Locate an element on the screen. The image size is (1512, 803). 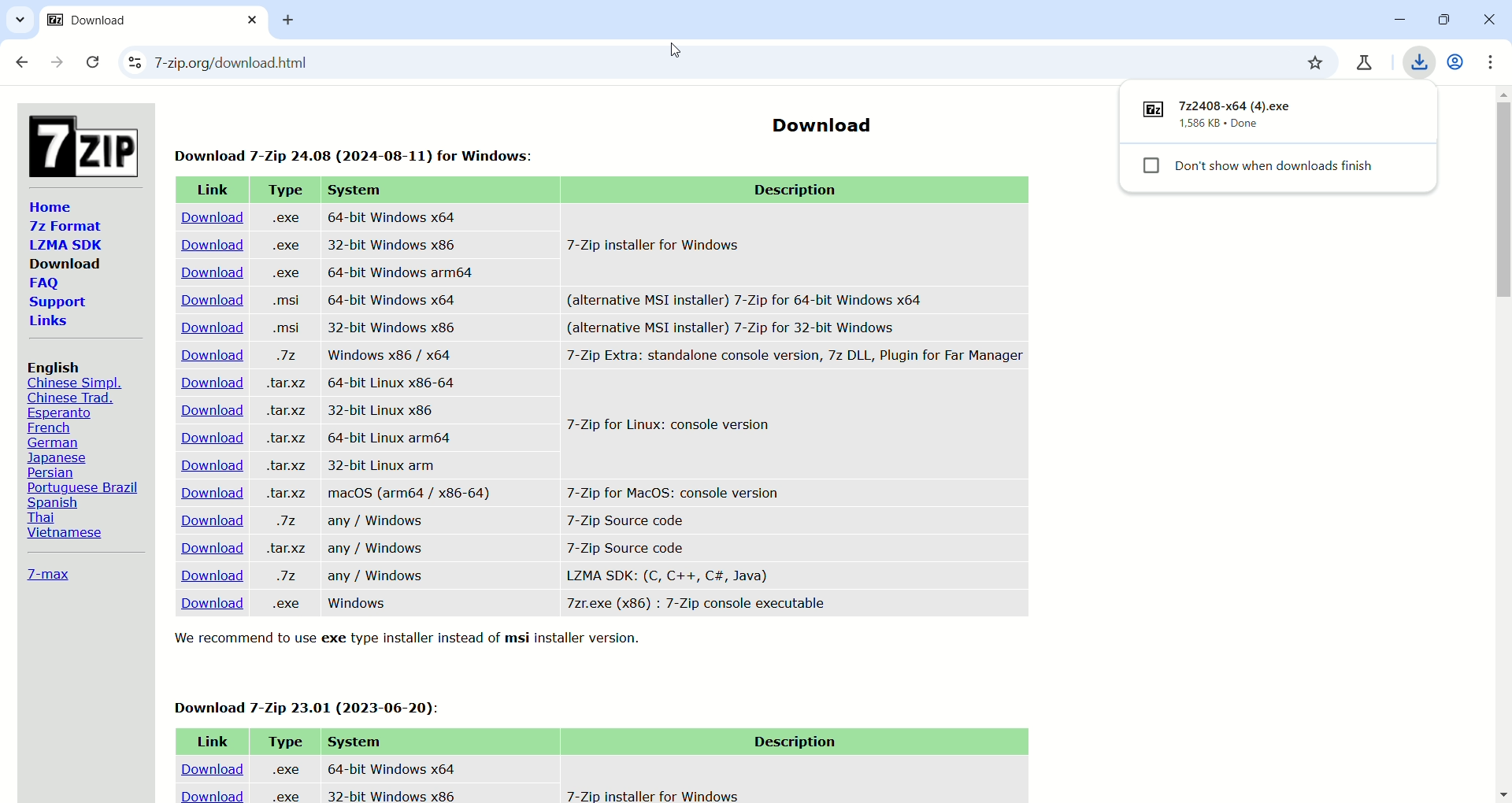
7-Zip Extra: standalone console version, 7z DLL, Plugin for Far Manager is located at coordinates (794, 358).